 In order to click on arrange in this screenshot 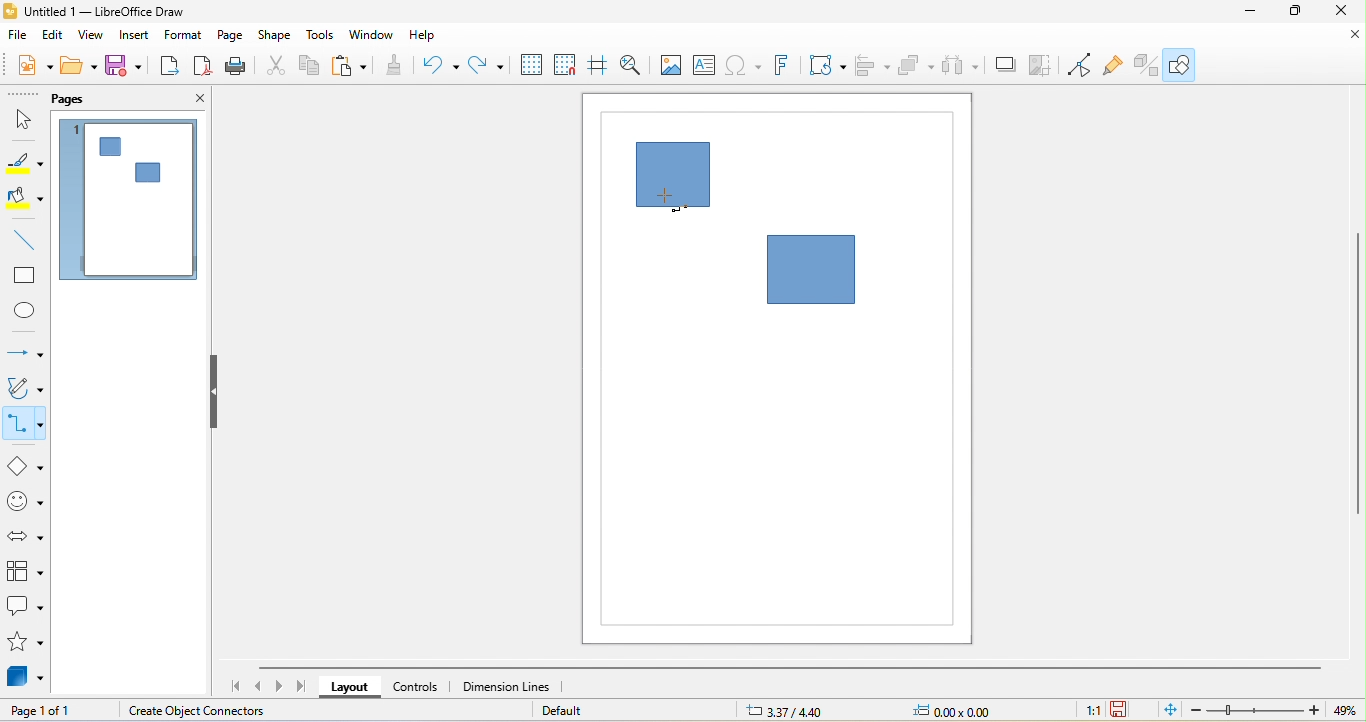, I will do `click(917, 67)`.